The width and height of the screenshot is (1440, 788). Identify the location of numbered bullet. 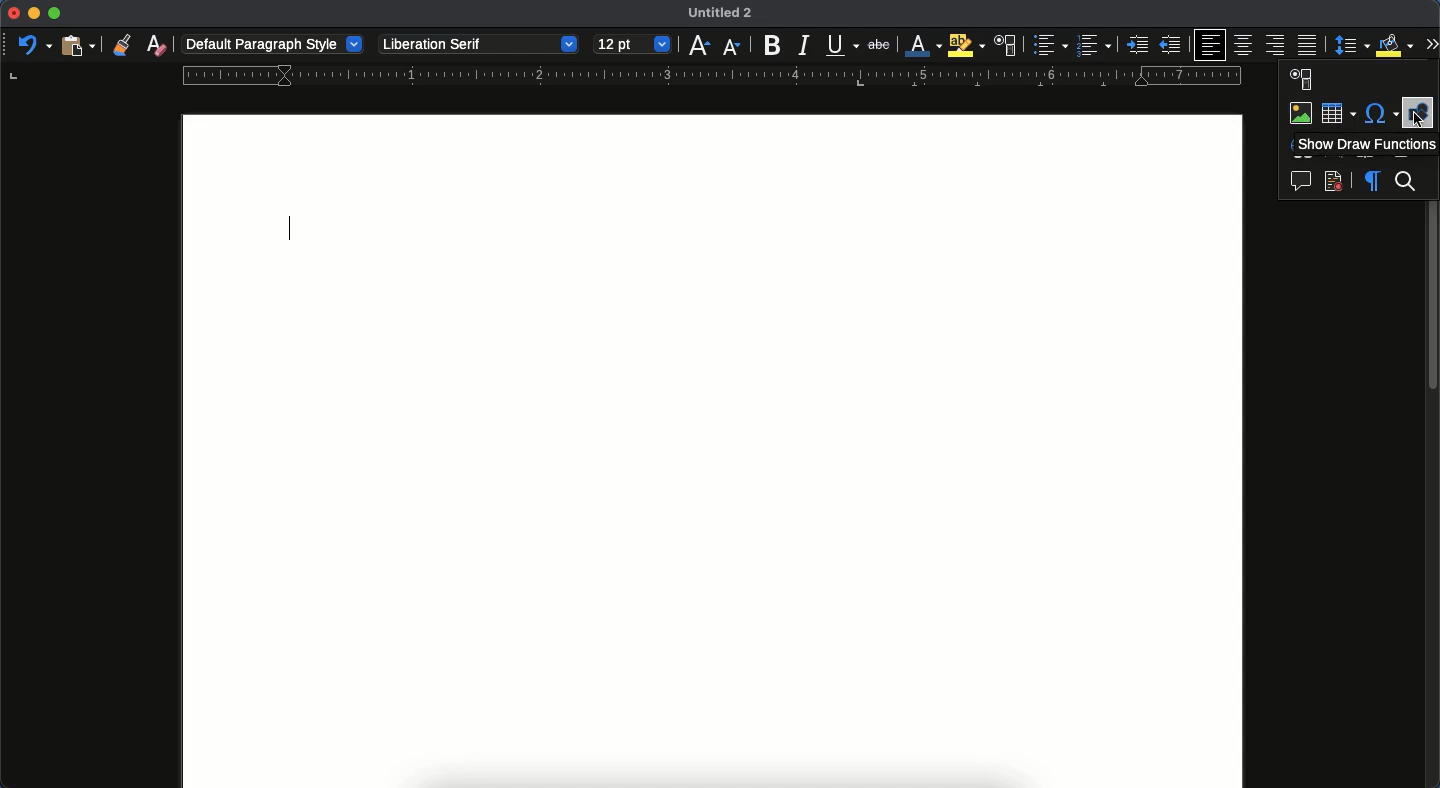
(1094, 45).